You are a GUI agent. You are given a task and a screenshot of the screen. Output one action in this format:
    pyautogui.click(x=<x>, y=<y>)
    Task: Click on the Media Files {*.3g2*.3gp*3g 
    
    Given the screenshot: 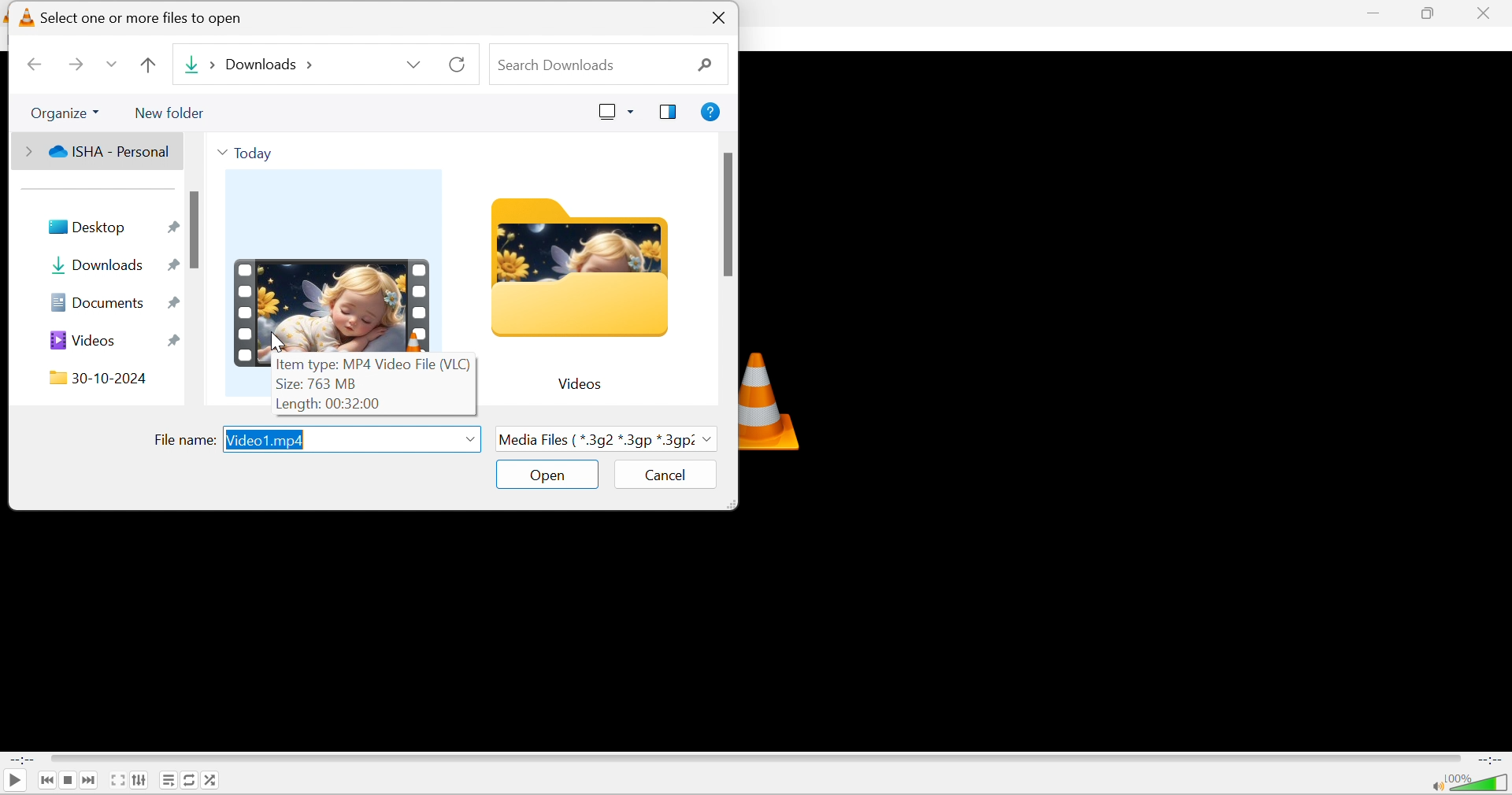 What is the action you would take?
    pyautogui.click(x=603, y=439)
    